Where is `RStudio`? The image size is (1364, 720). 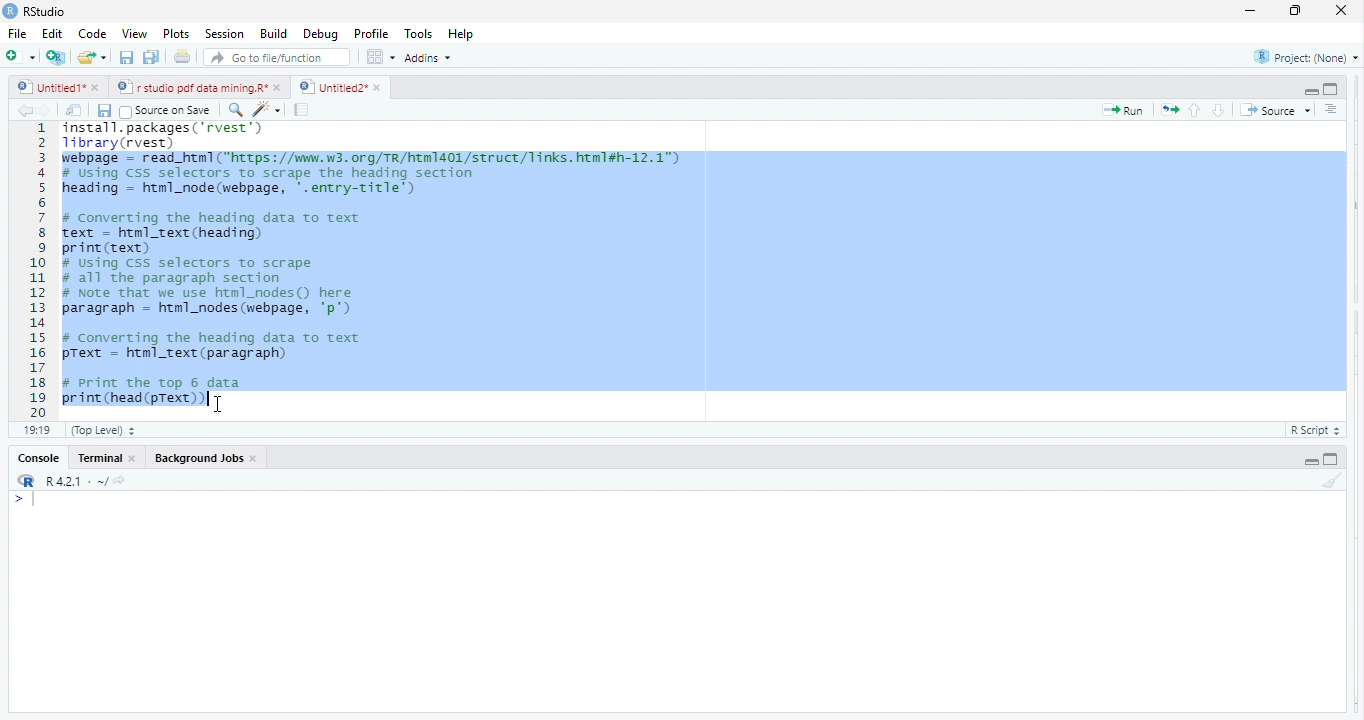
RStudio is located at coordinates (51, 10).